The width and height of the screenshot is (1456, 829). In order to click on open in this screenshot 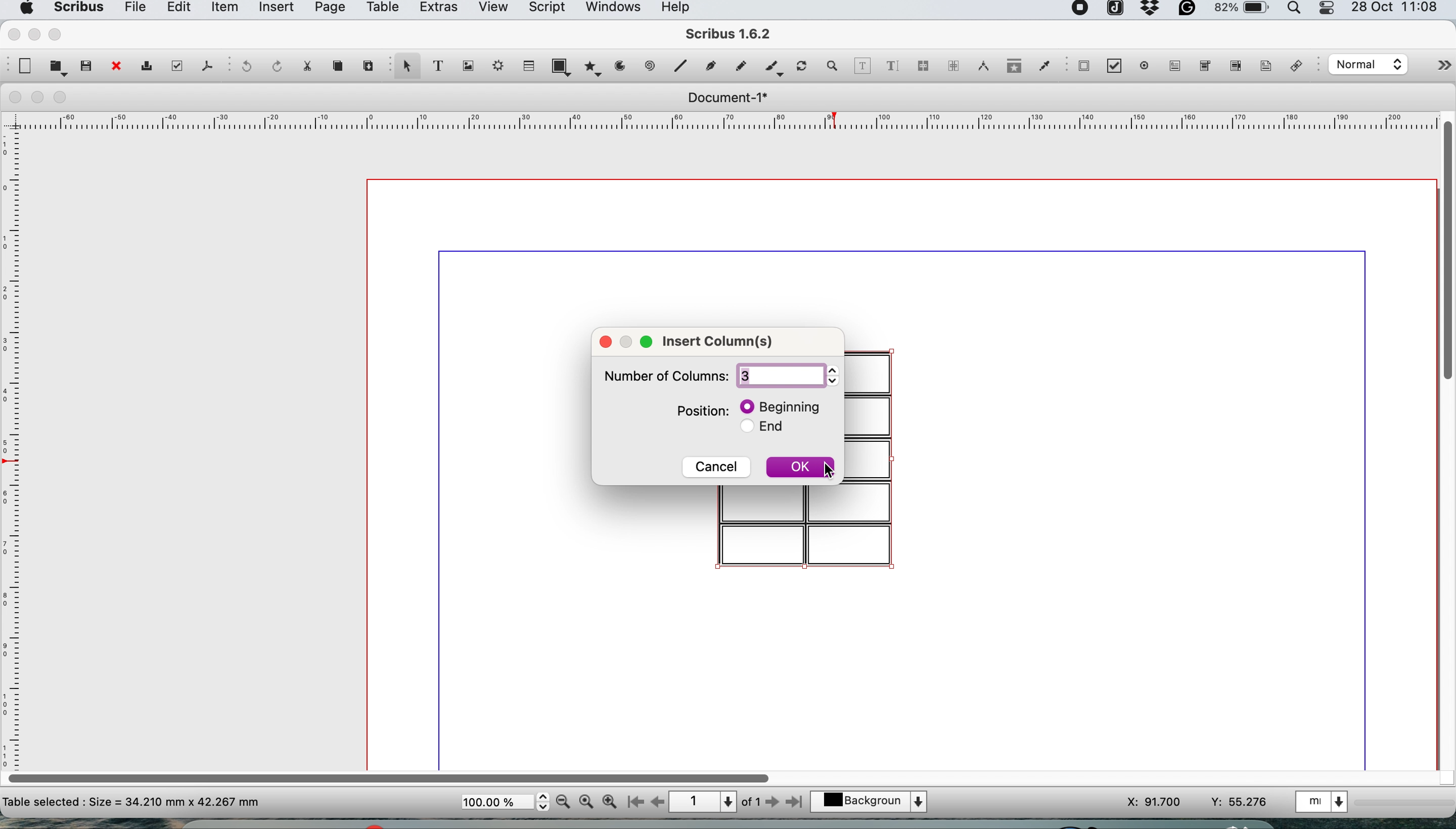, I will do `click(58, 67)`.